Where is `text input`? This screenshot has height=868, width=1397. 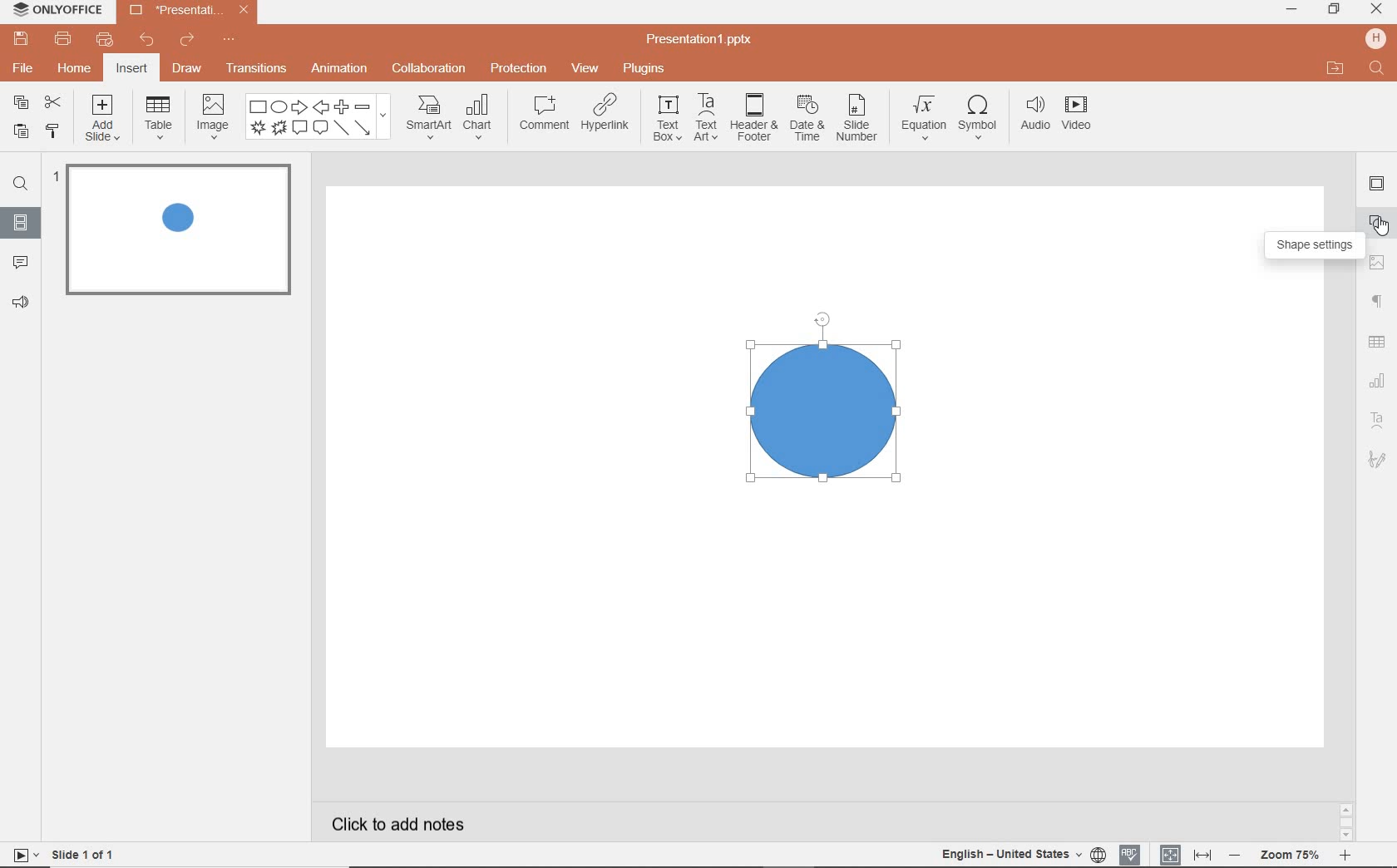
text input is located at coordinates (1377, 70).